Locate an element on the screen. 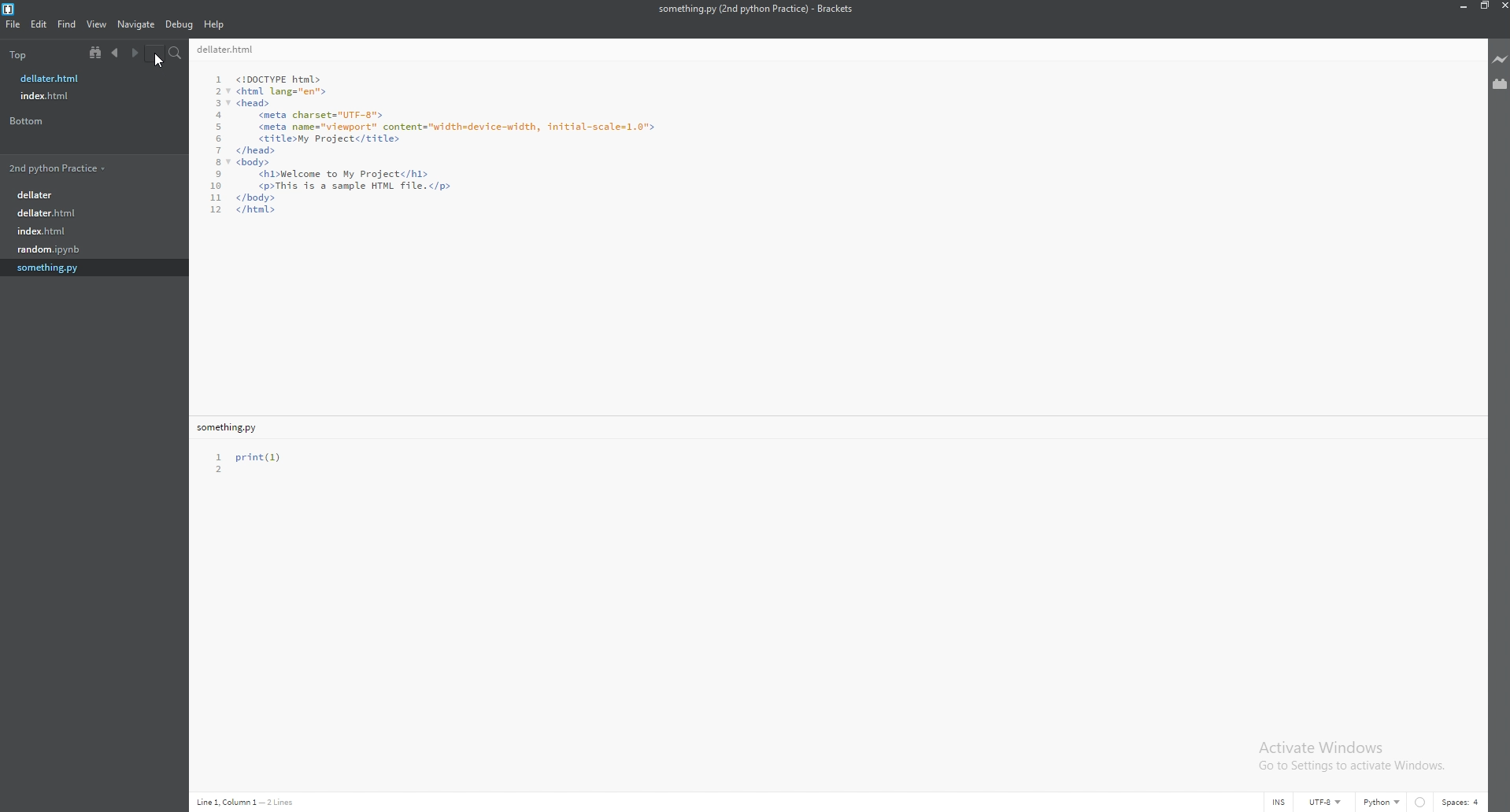 This screenshot has height=812, width=1510. edit is located at coordinates (40, 24).